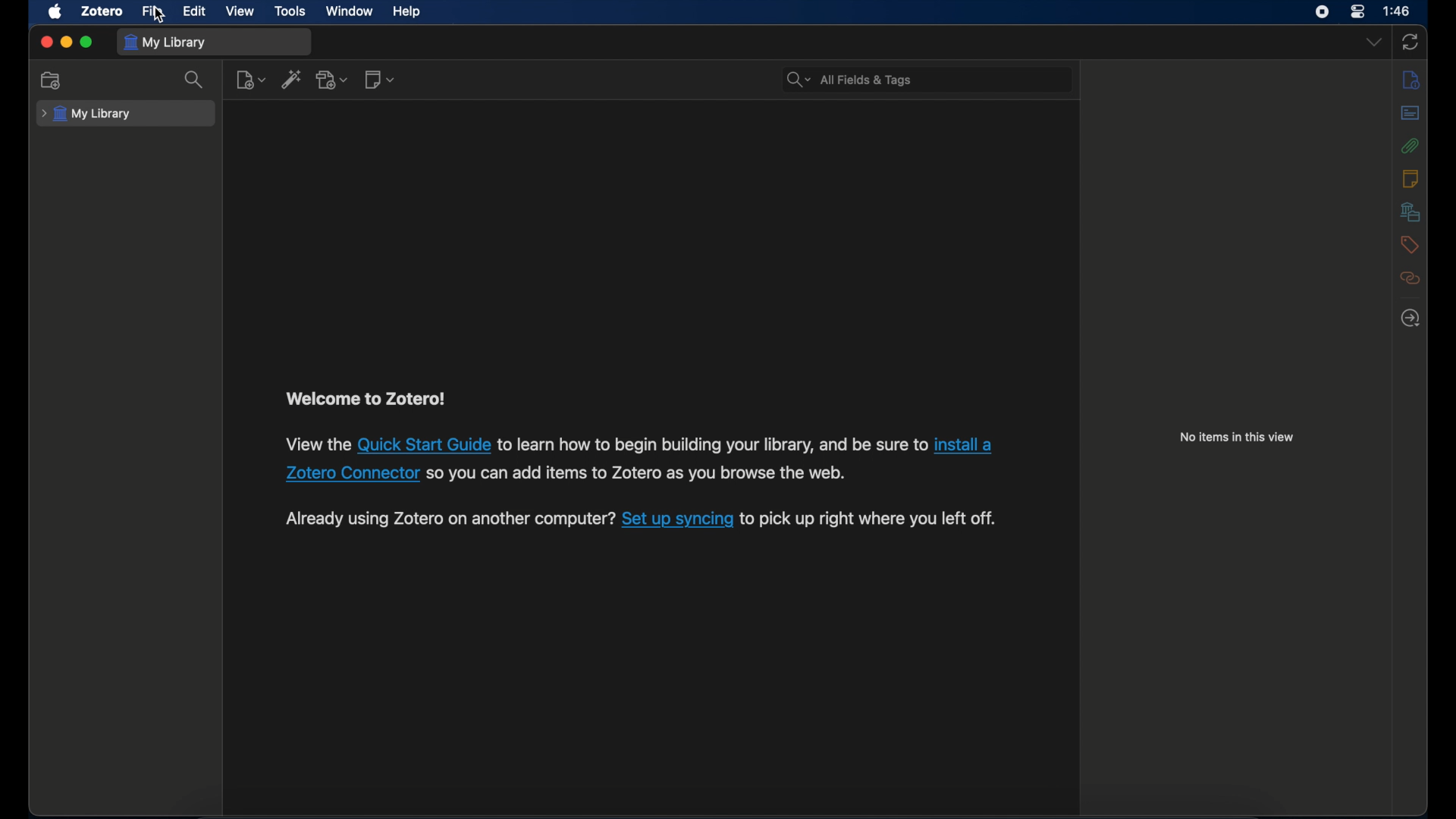 This screenshot has width=1456, height=819. Describe the element at coordinates (1410, 178) in the screenshot. I see `notes` at that location.